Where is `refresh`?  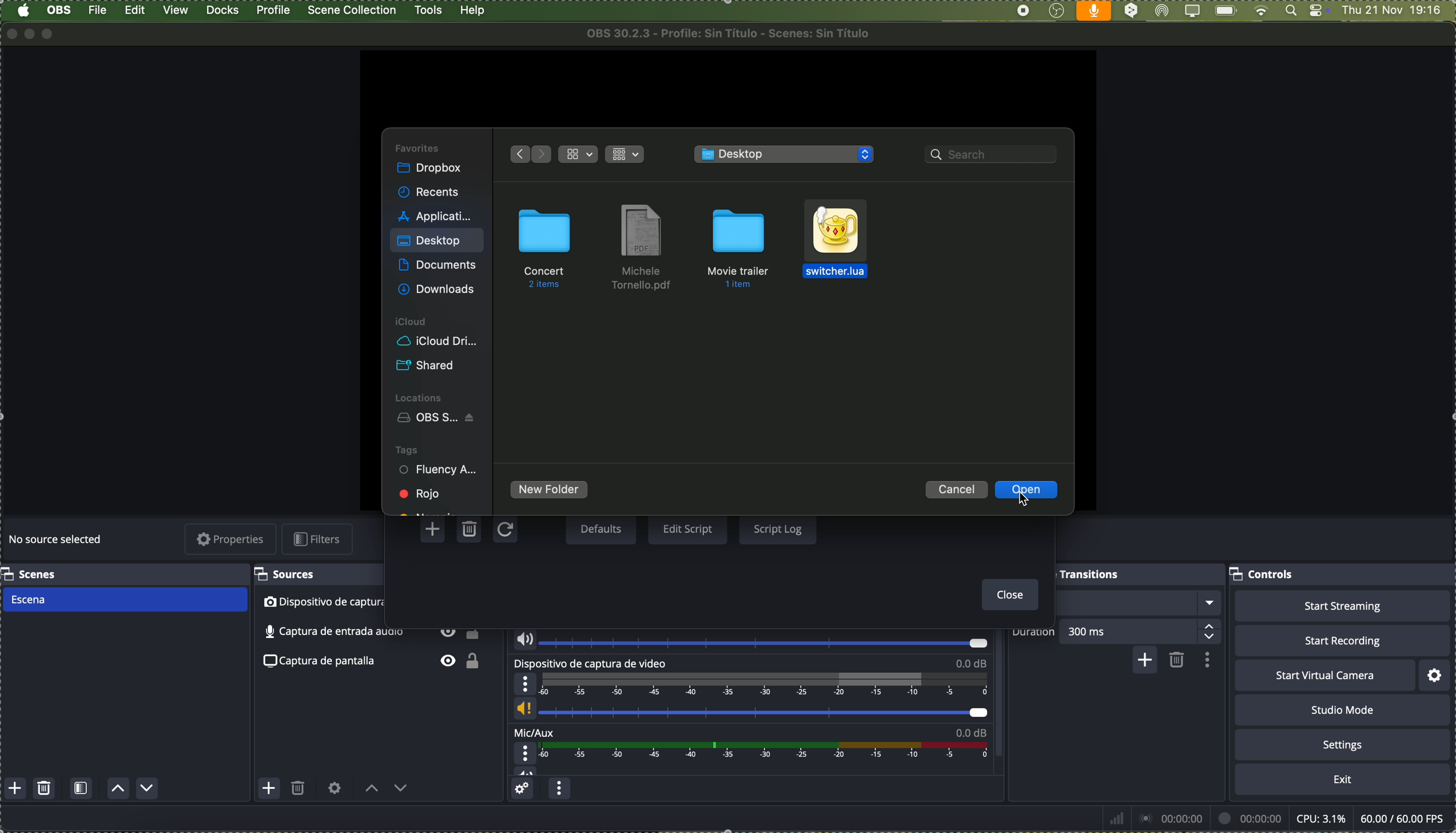
refresh is located at coordinates (504, 531).